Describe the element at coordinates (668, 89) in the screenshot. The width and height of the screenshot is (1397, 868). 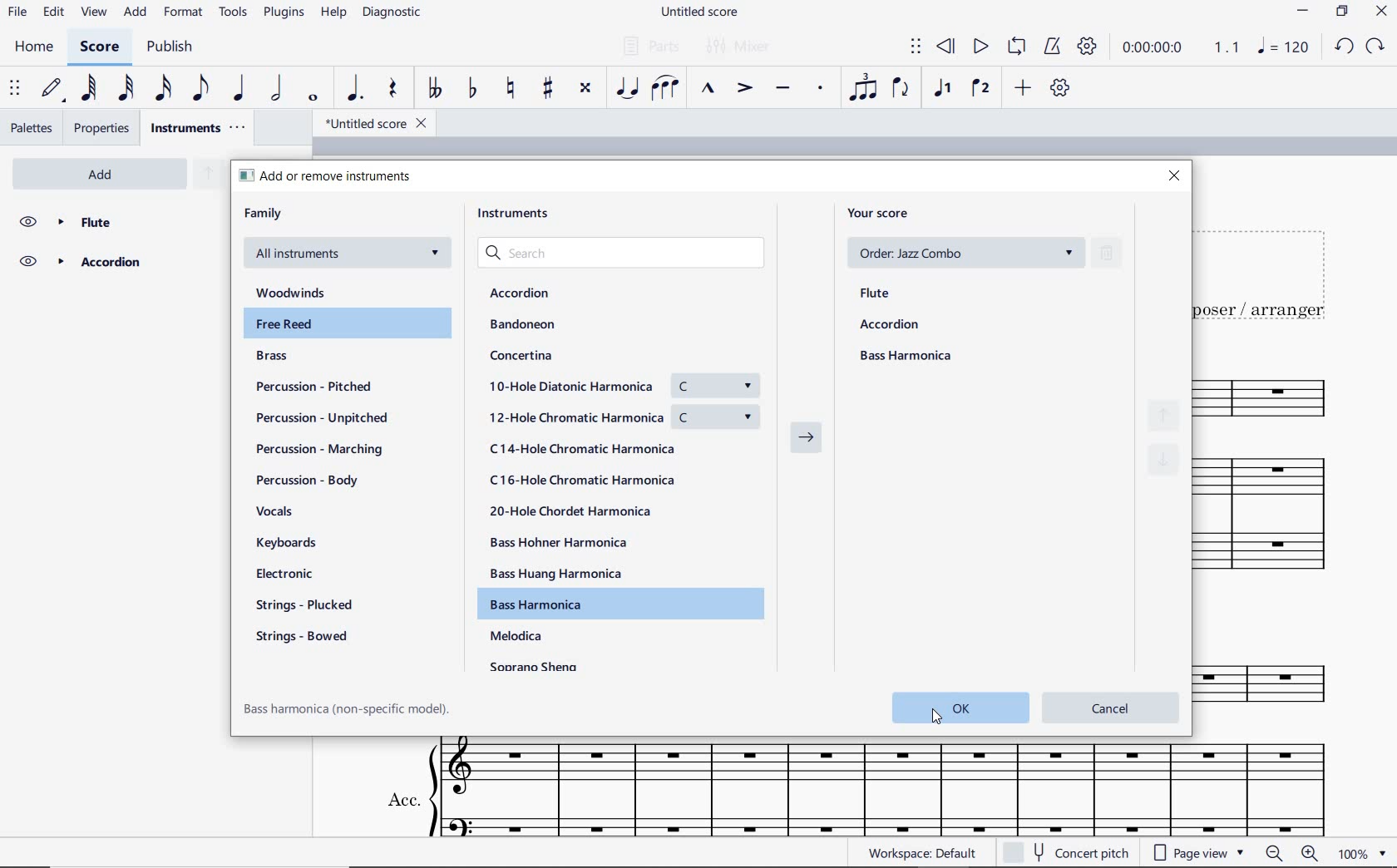
I see `slur` at that location.